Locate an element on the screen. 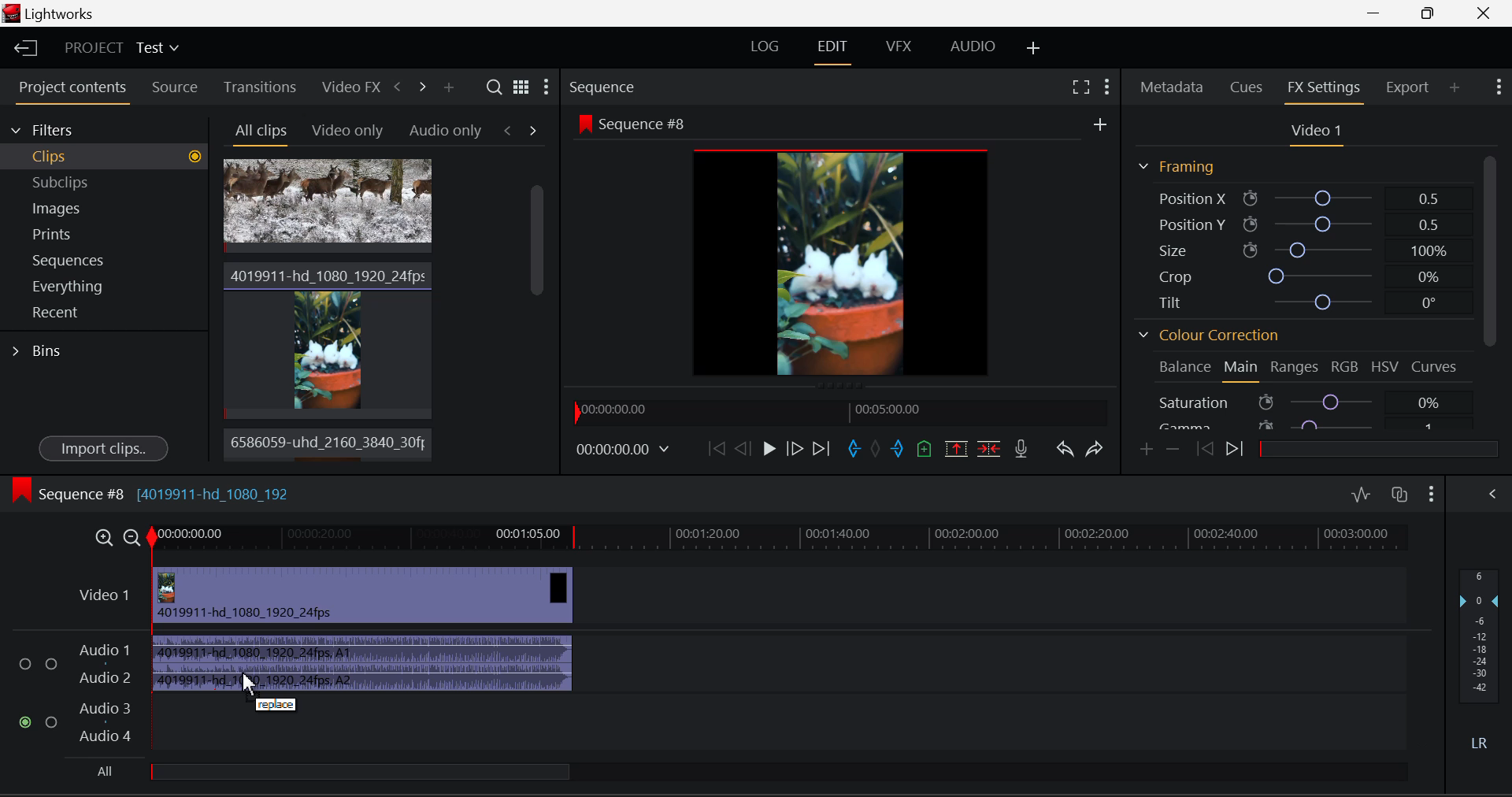 This screenshot has height=797, width=1512. Mark In is located at coordinates (854, 449).